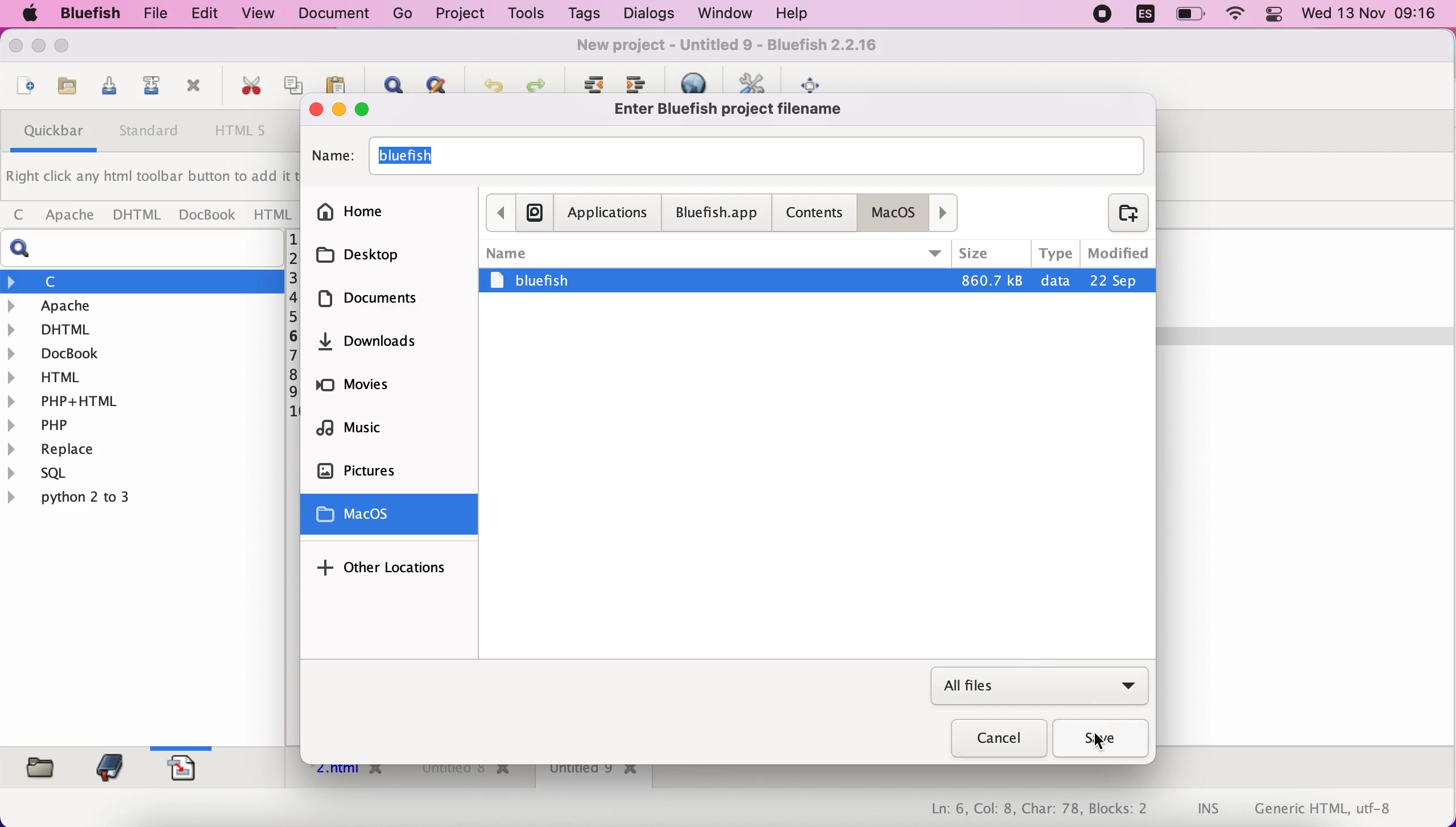 This screenshot has height=827, width=1456. What do you see at coordinates (1056, 252) in the screenshot?
I see `type` at bounding box center [1056, 252].